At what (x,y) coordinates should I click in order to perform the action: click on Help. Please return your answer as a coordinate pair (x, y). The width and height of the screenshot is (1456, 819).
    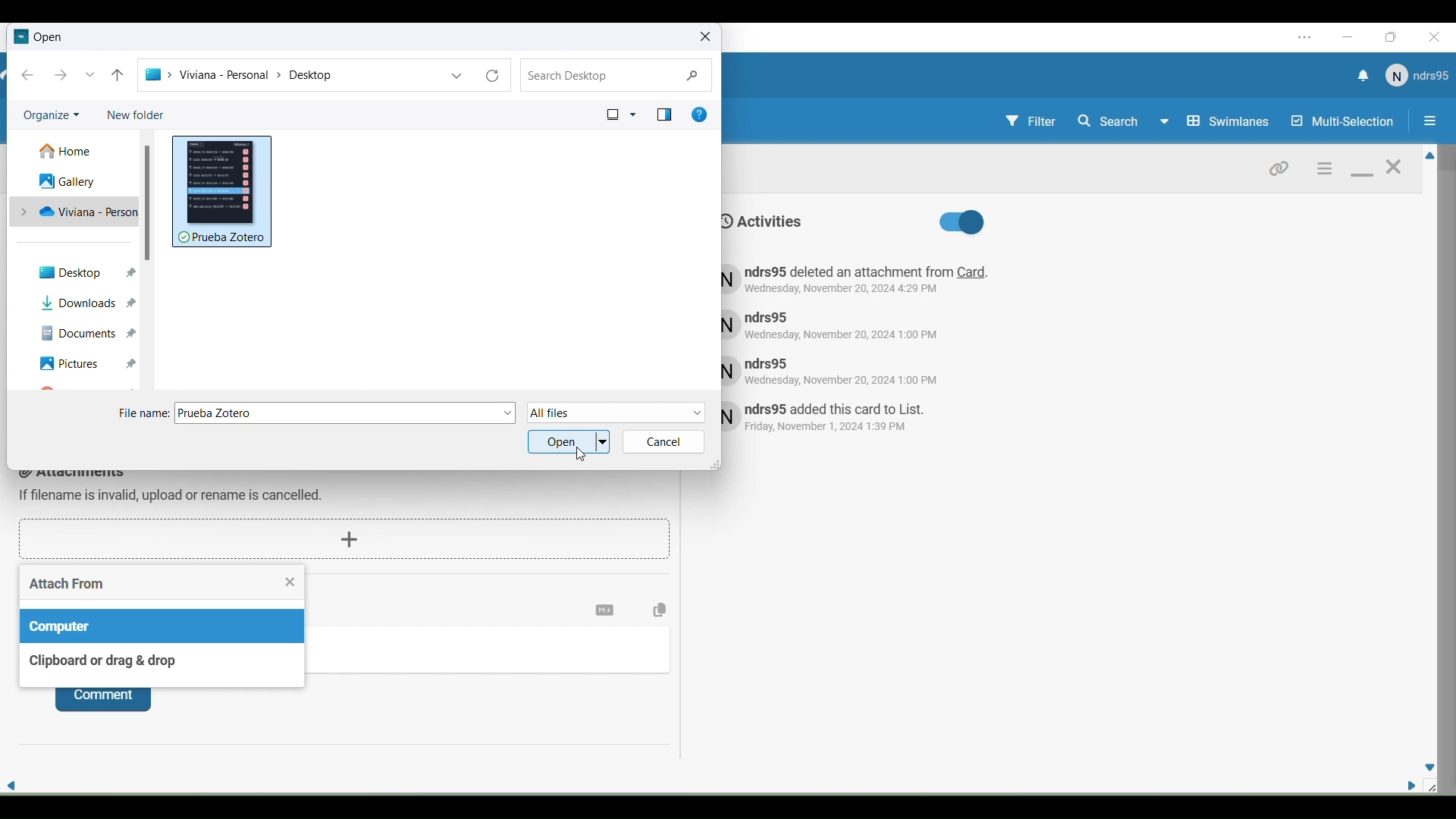
    Looking at the image, I should click on (698, 115).